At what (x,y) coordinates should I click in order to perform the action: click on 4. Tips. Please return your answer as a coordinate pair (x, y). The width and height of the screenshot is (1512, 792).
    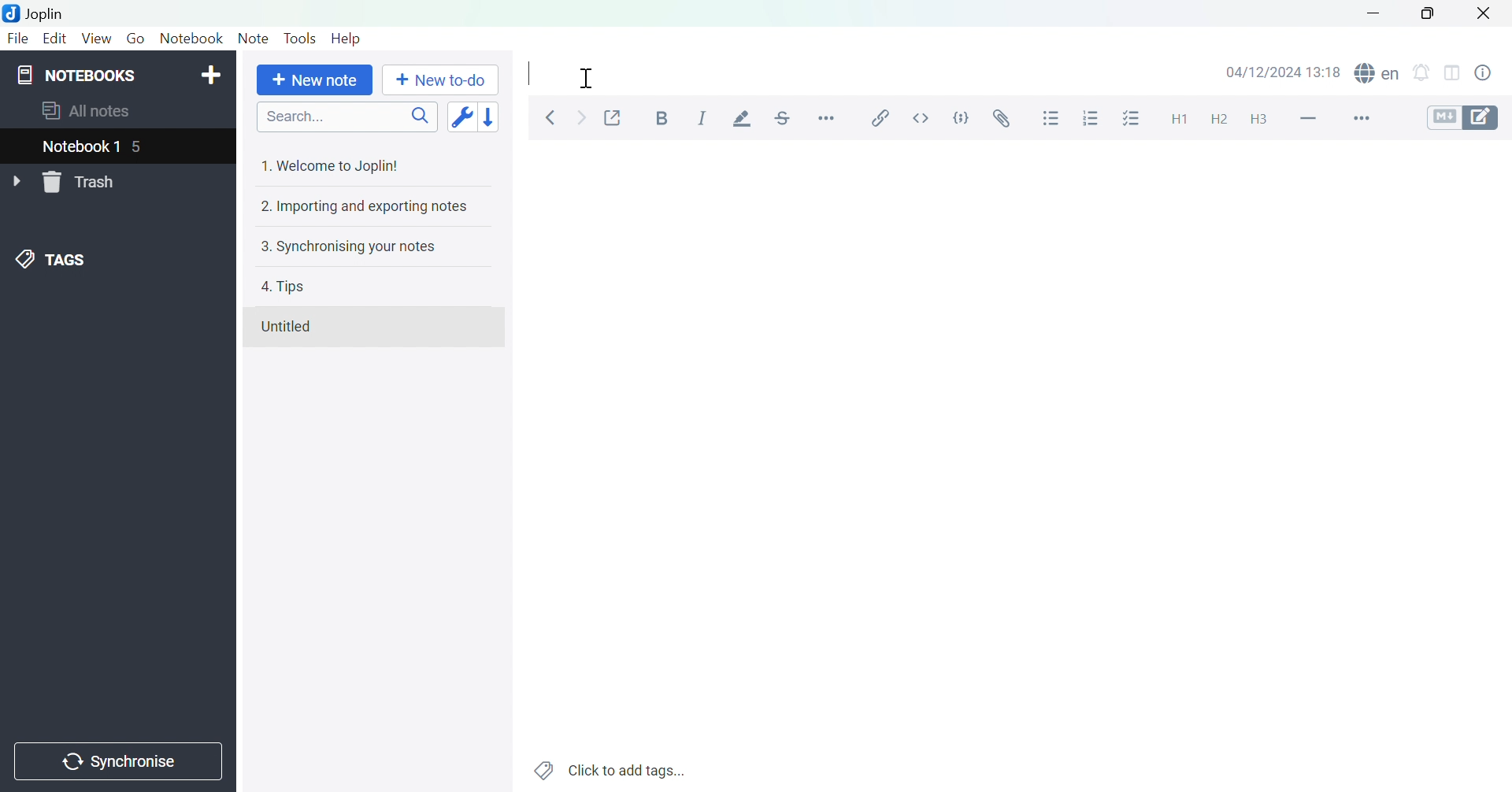
    Looking at the image, I should click on (287, 287).